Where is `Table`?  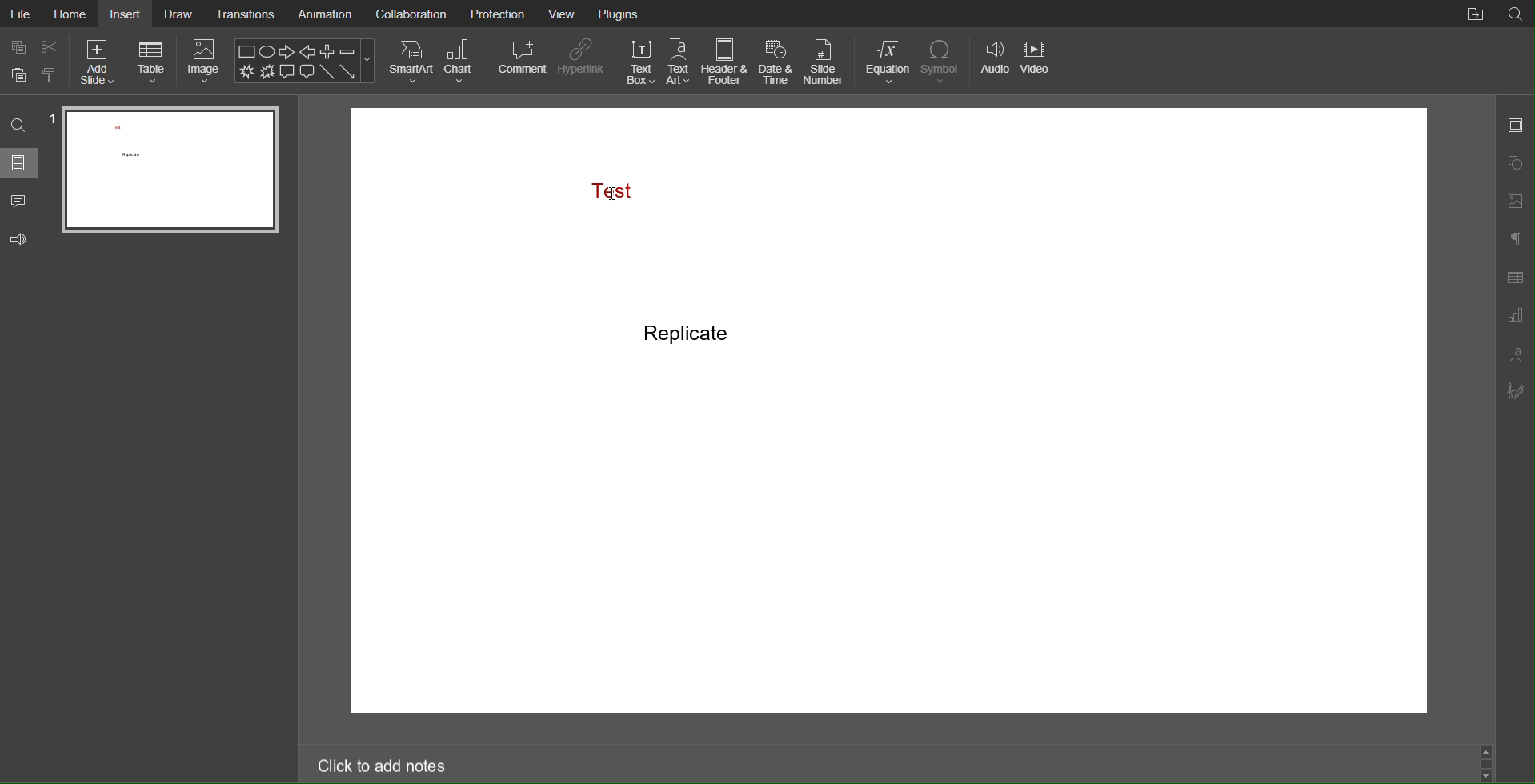 Table is located at coordinates (152, 62).